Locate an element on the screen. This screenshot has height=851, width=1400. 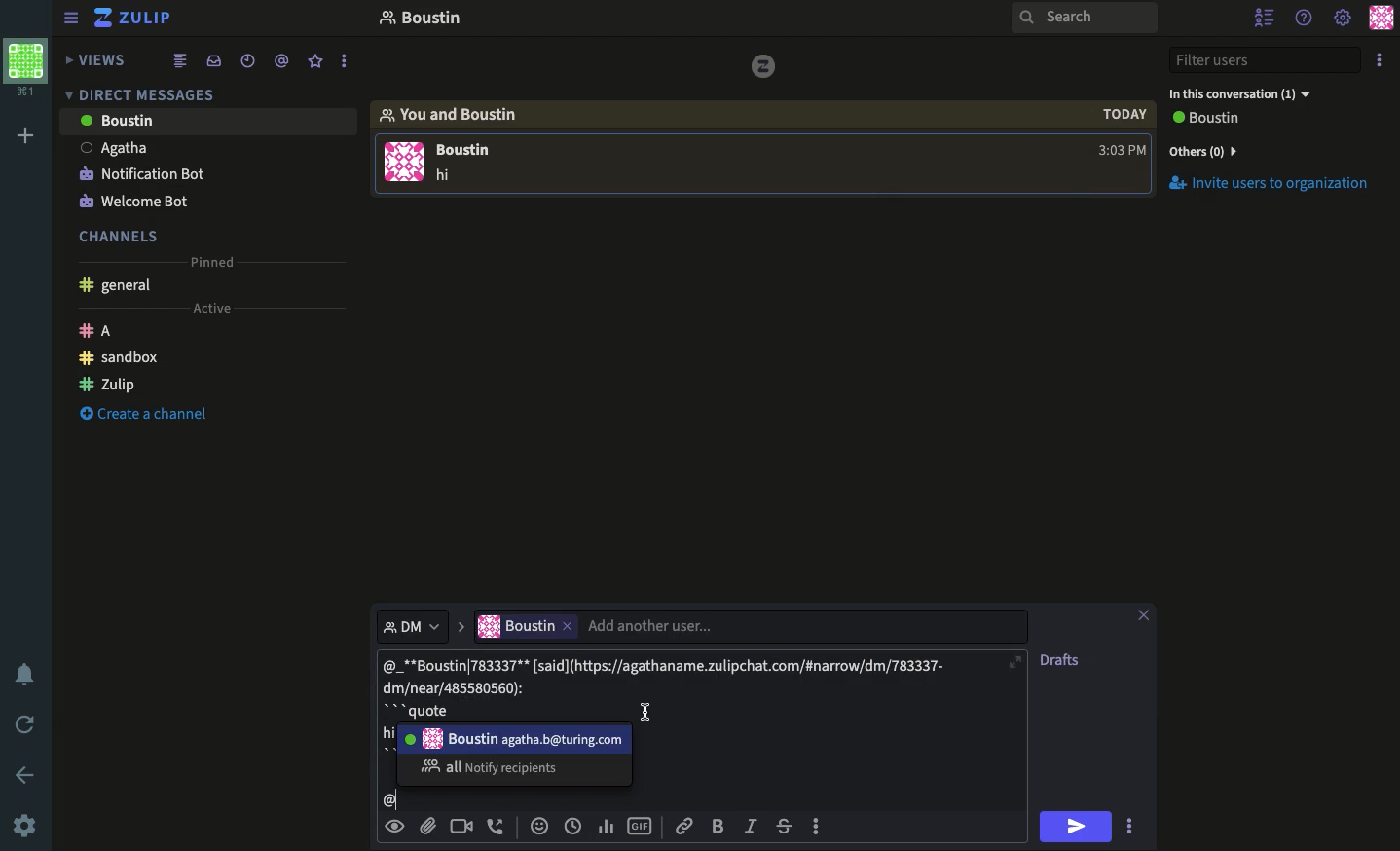
Zulip is located at coordinates (133, 18).